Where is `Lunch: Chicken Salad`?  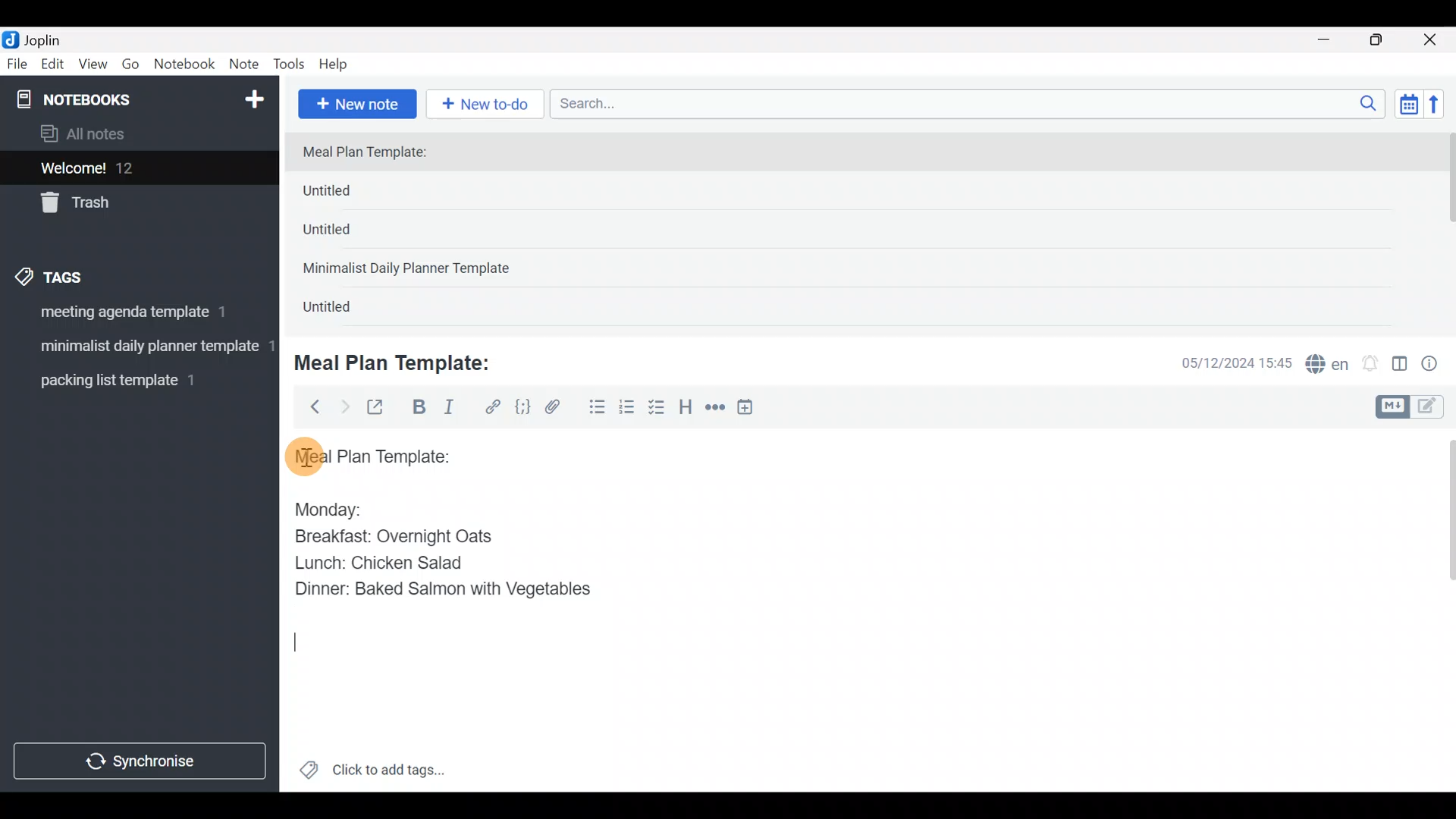 Lunch: Chicken Salad is located at coordinates (377, 563).